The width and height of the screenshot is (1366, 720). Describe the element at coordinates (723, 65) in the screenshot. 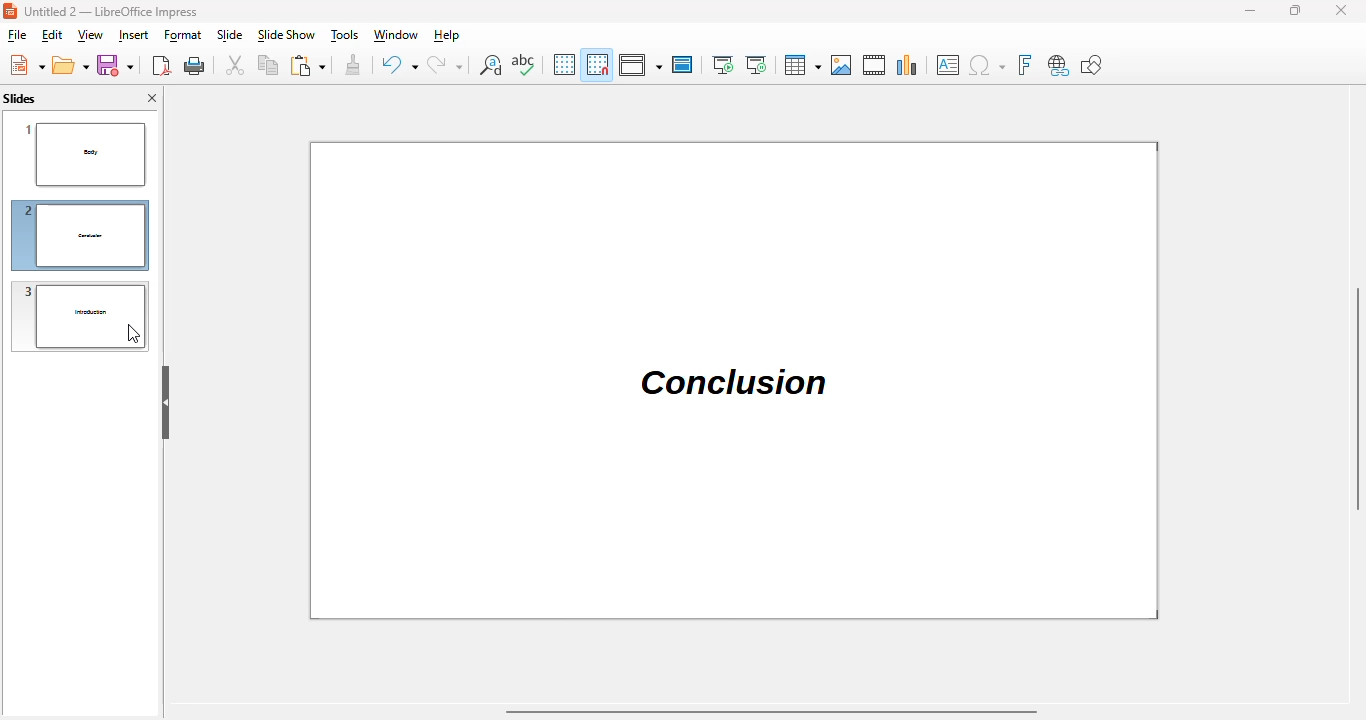

I see `start from first slide` at that location.